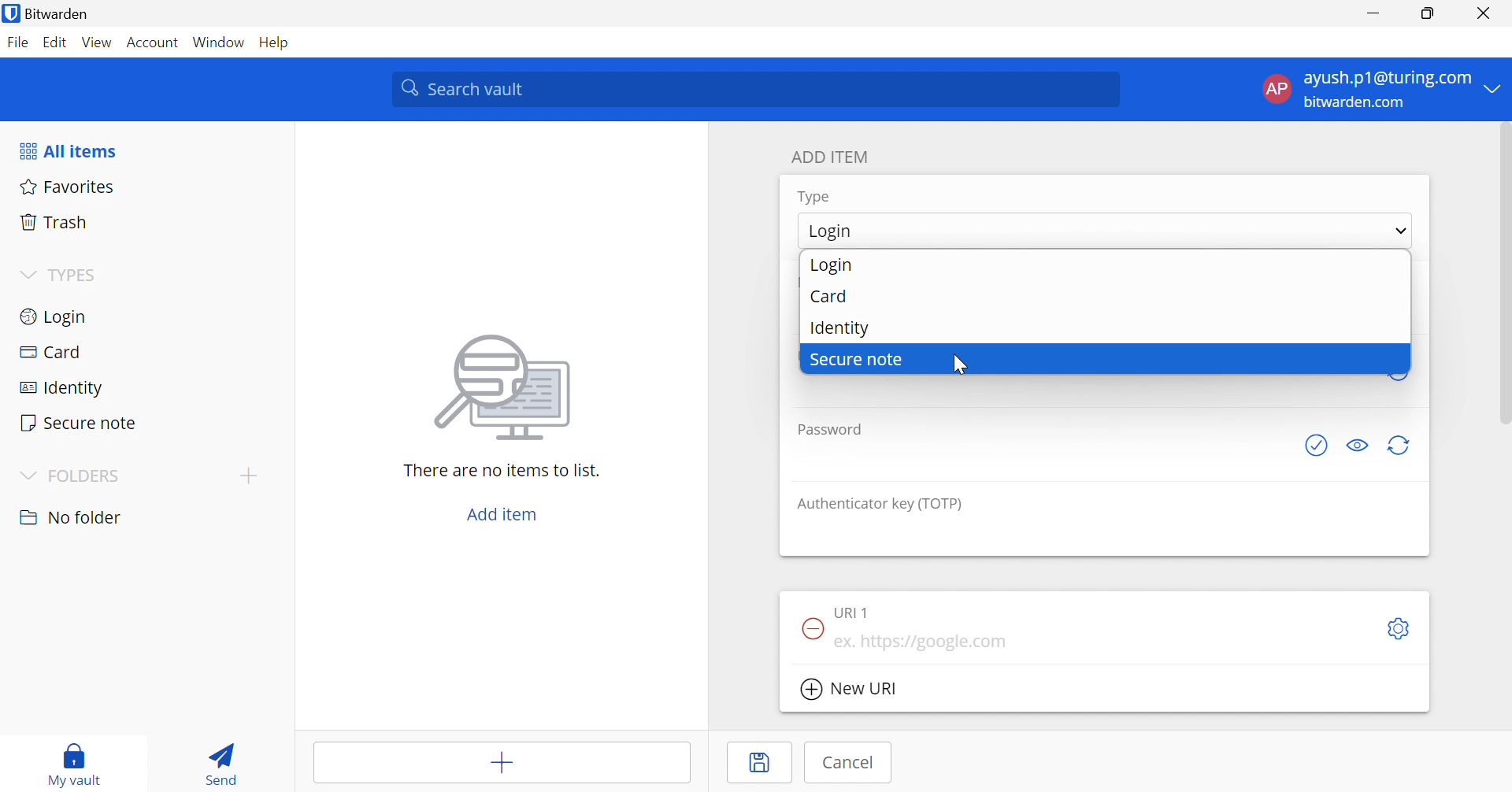 The width and height of the screenshot is (1512, 792). Describe the element at coordinates (1503, 273) in the screenshot. I see `Scroll Bar` at that location.